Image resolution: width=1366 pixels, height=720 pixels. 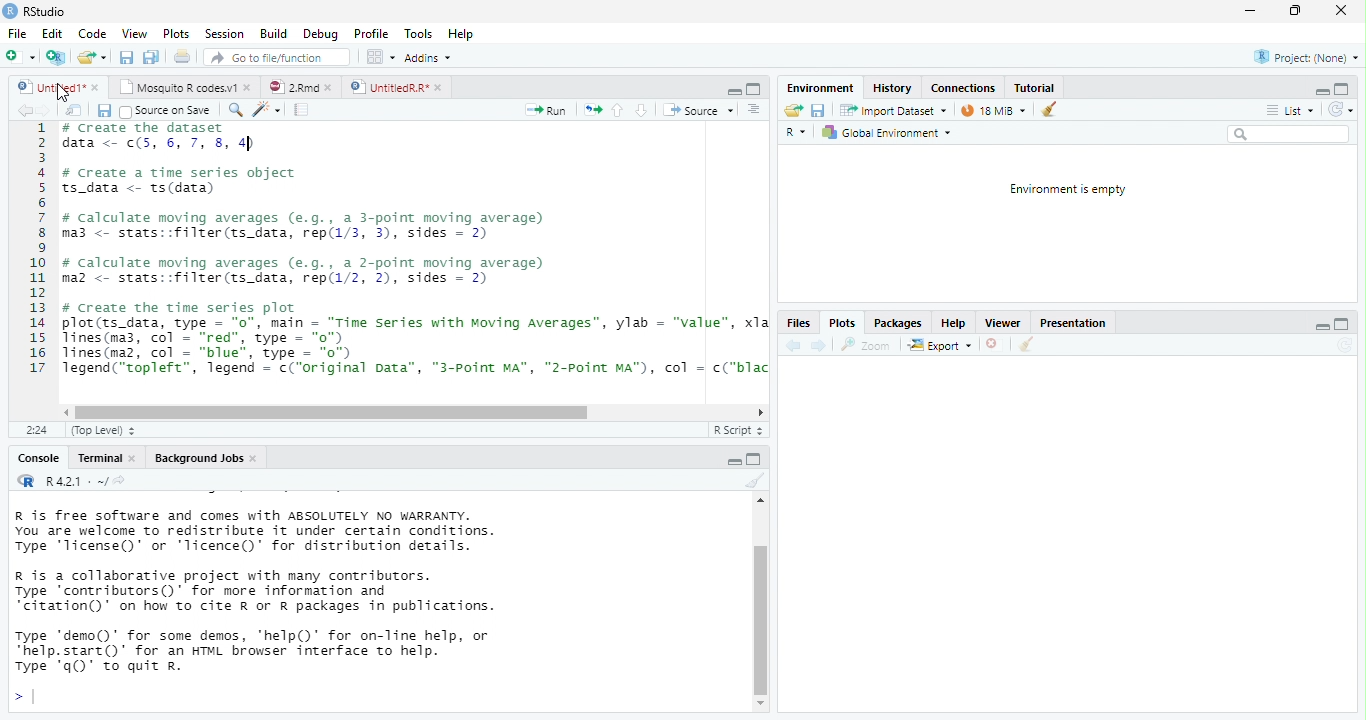 I want to click on cursor, so click(x=60, y=92).